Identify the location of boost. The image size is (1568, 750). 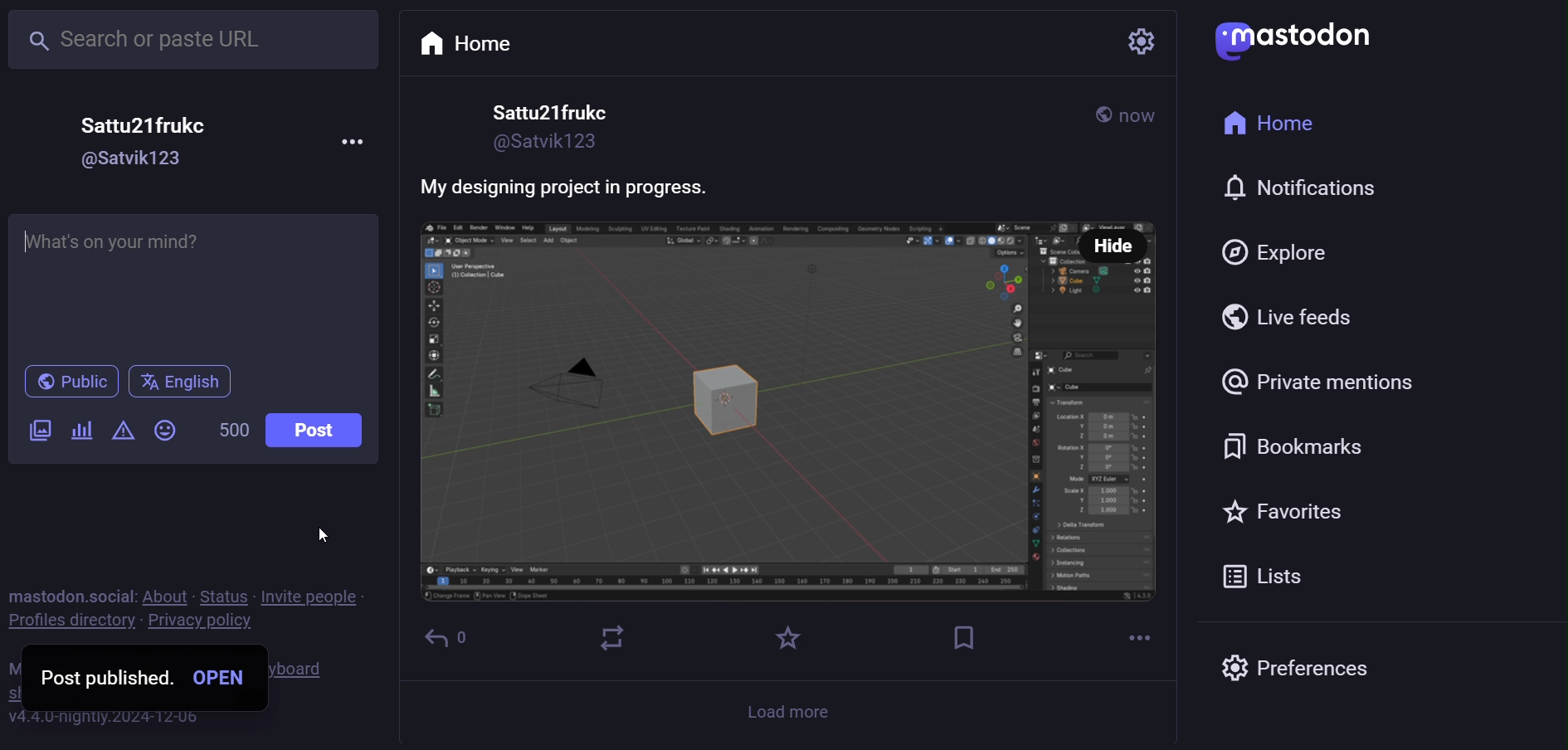
(601, 645).